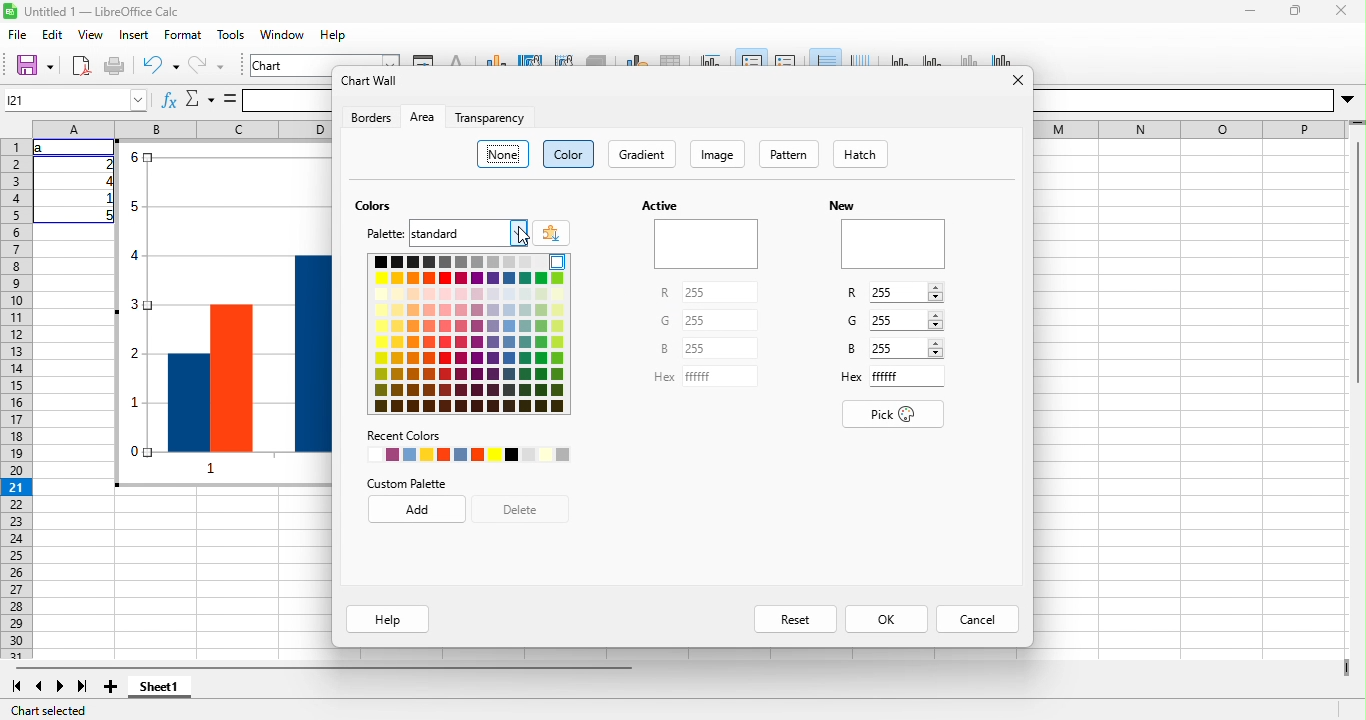  What do you see at coordinates (423, 117) in the screenshot?
I see `area` at bounding box center [423, 117].